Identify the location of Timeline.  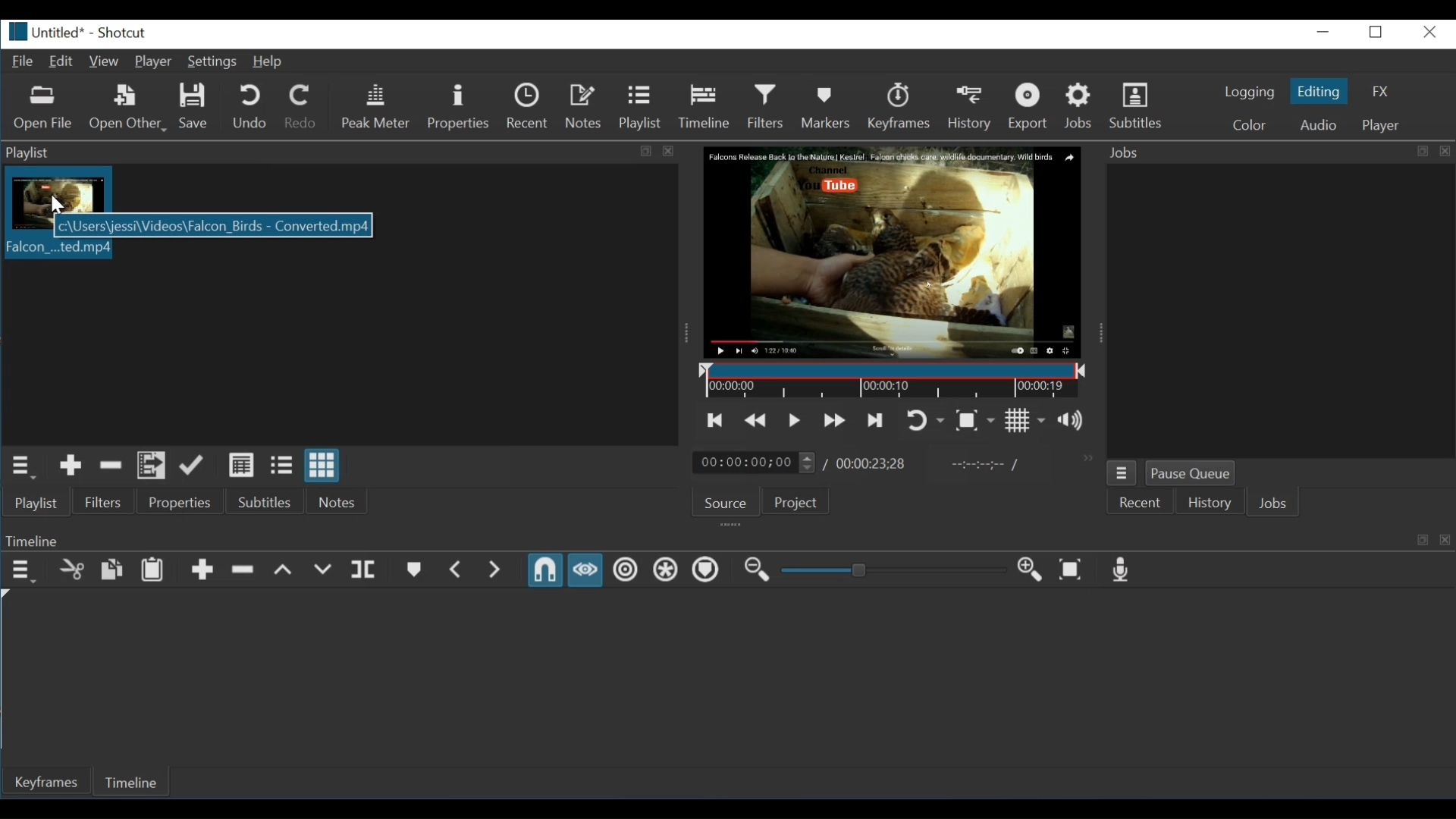
(137, 780).